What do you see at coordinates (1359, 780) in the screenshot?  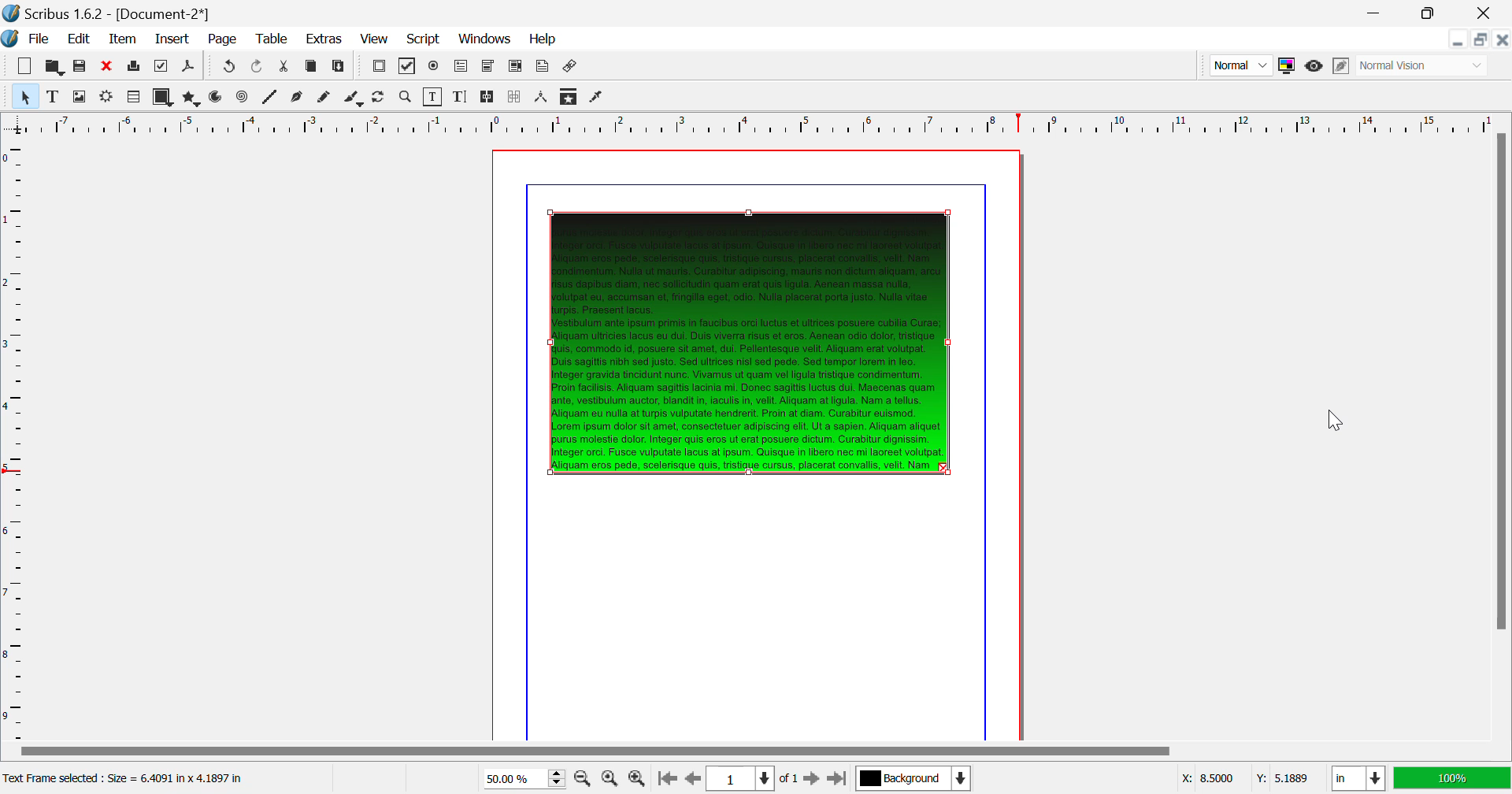 I see `Measurement Units` at bounding box center [1359, 780].